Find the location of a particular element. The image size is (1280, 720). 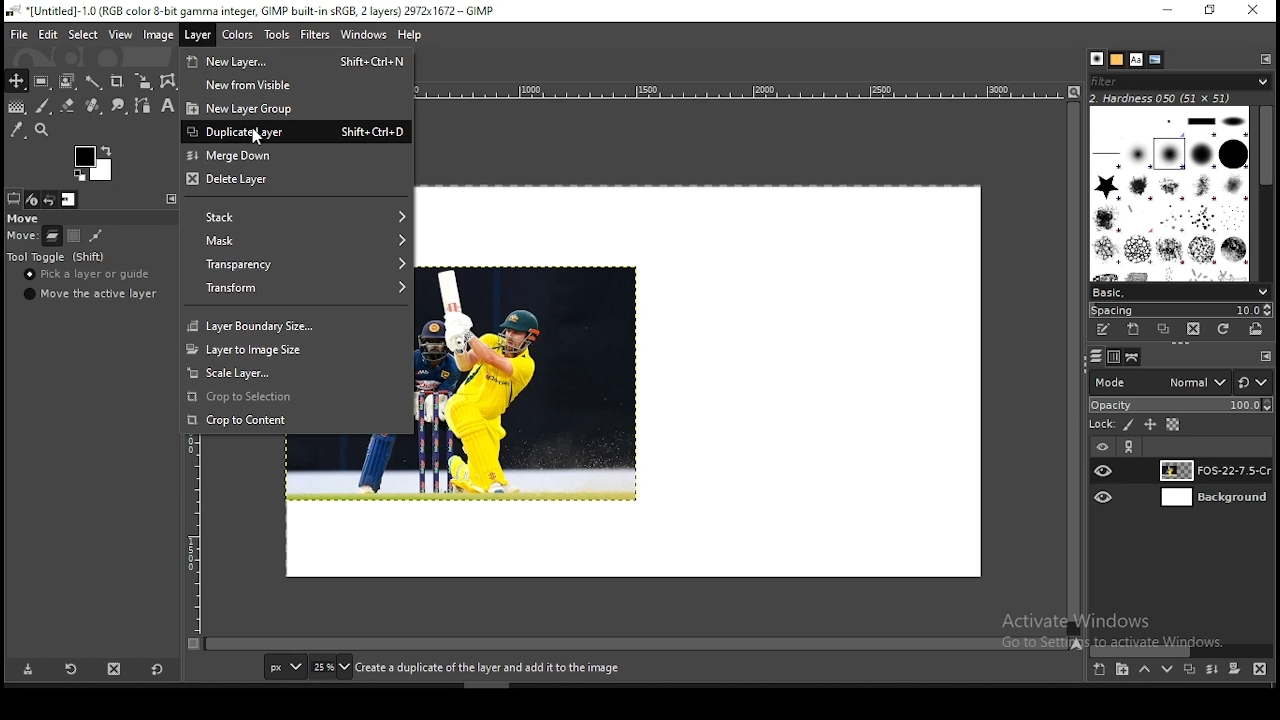

lock is located at coordinates (1100, 425).